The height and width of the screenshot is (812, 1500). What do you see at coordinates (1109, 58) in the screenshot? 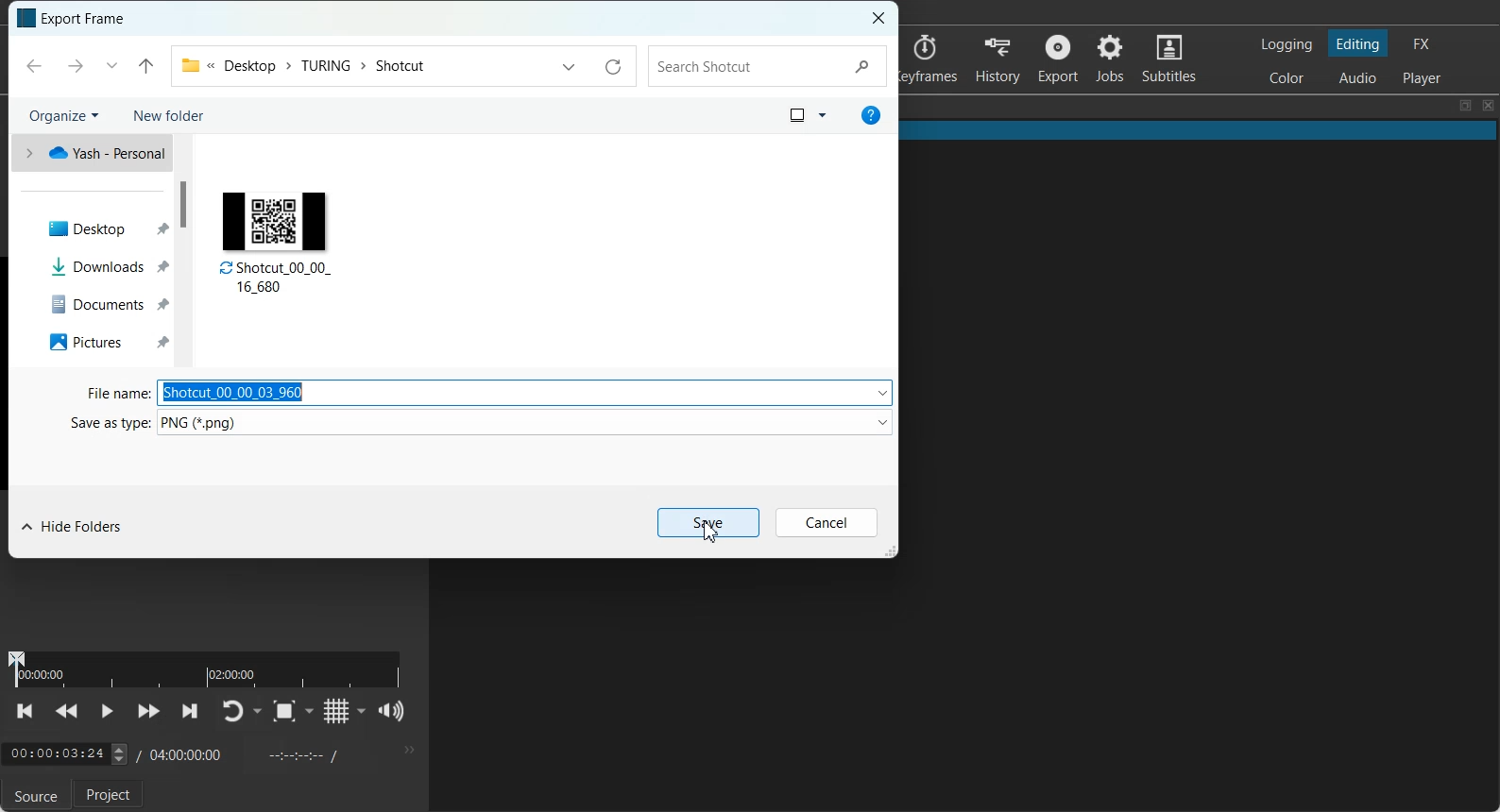
I see `Jobs` at bounding box center [1109, 58].